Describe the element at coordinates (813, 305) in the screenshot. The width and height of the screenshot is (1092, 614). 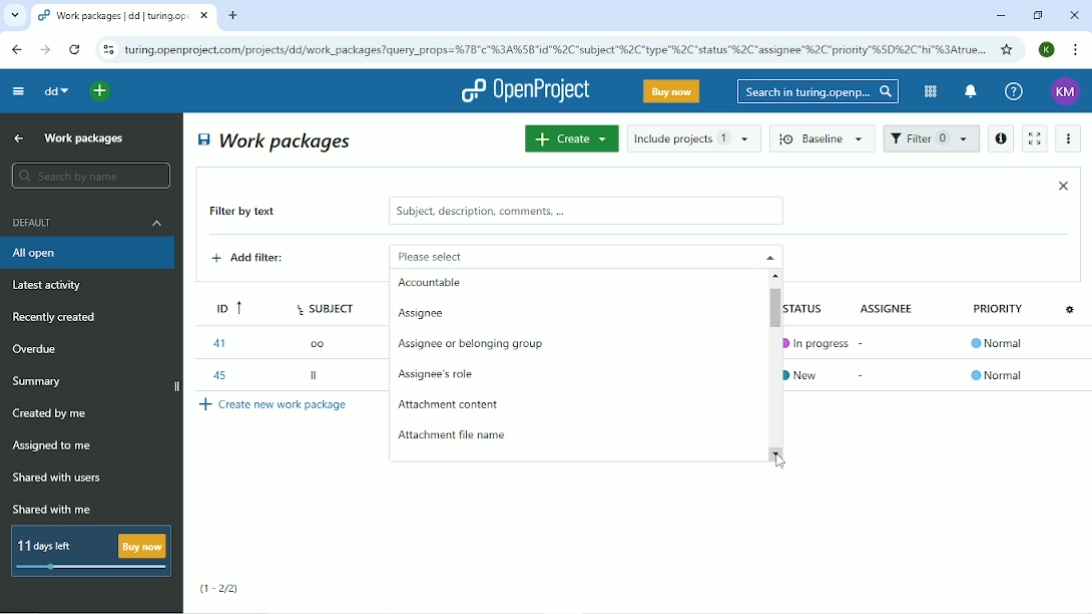
I see `Status` at that location.